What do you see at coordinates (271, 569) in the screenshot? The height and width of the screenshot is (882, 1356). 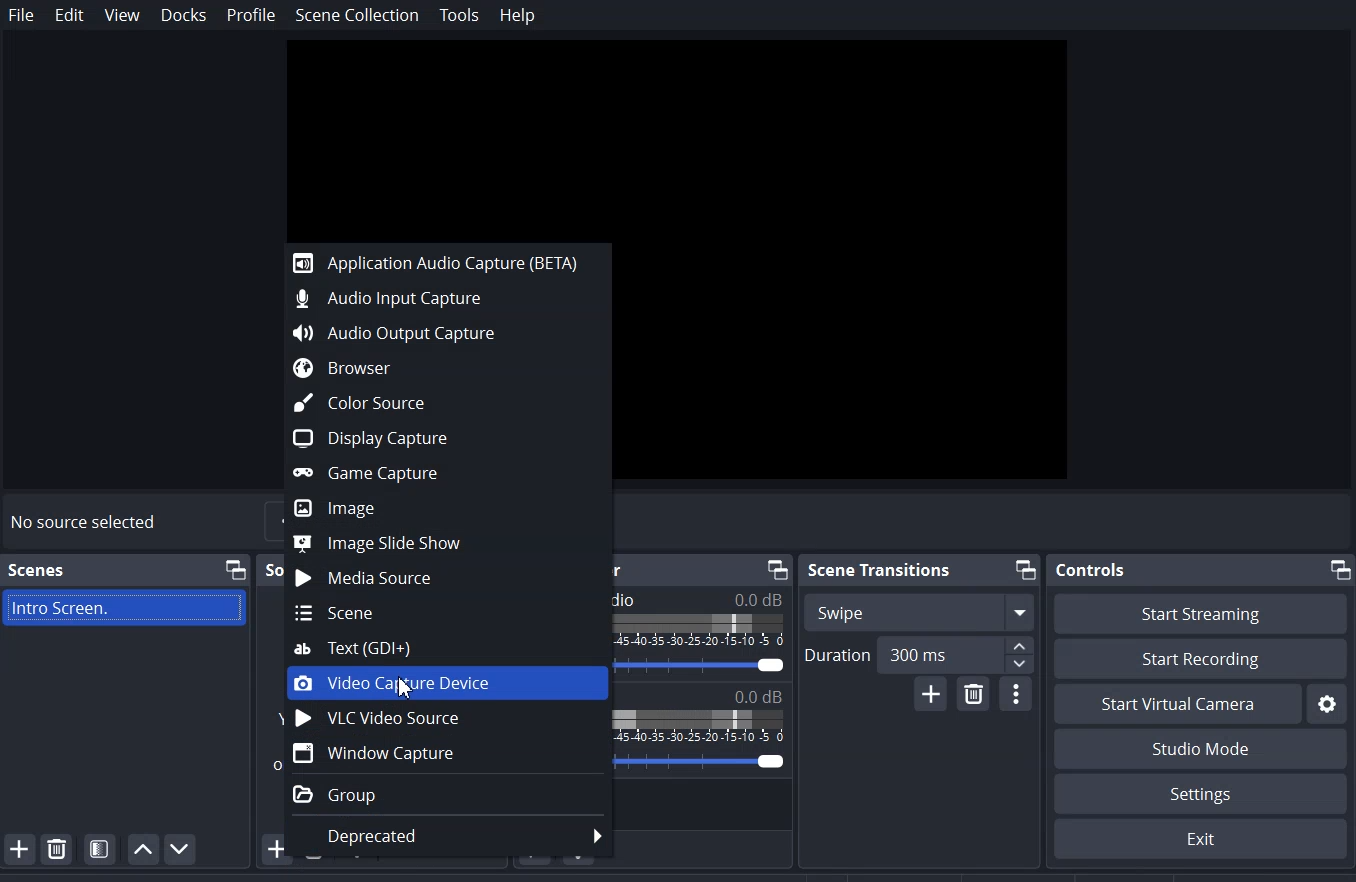 I see `Source` at bounding box center [271, 569].